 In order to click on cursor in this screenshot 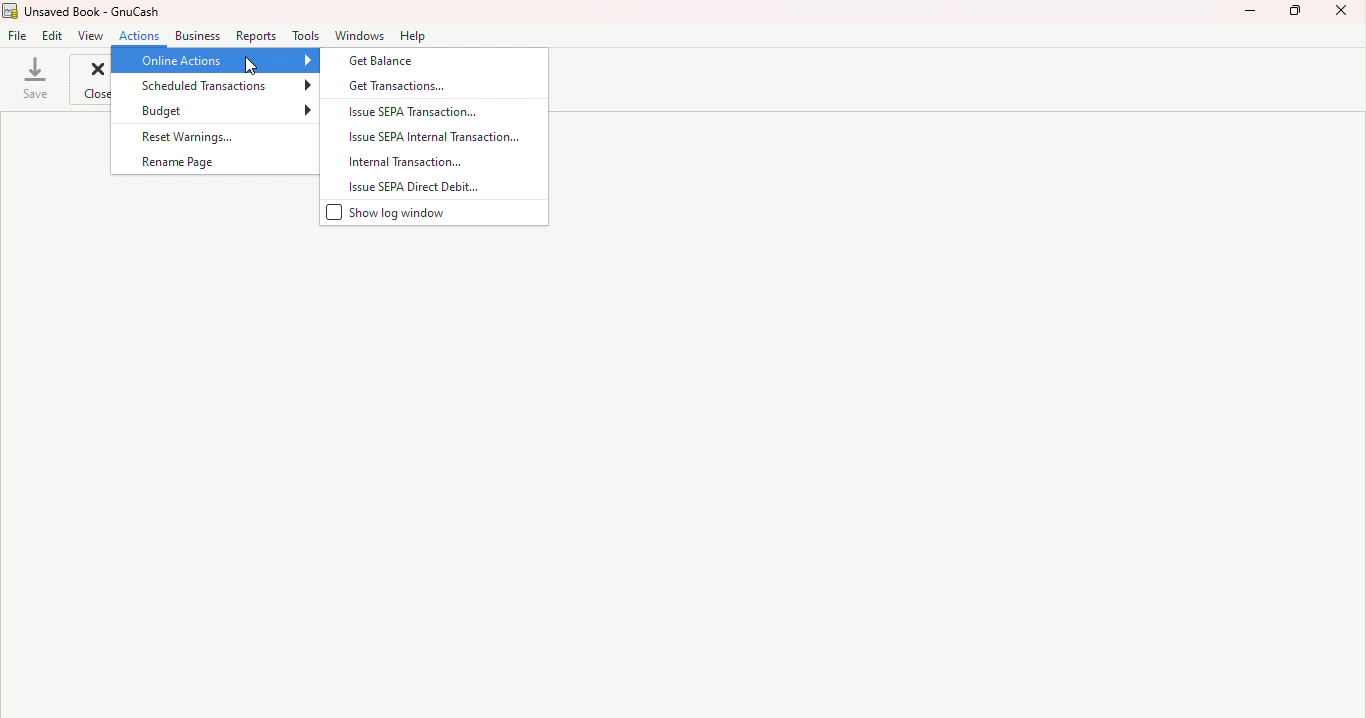, I will do `click(250, 64)`.